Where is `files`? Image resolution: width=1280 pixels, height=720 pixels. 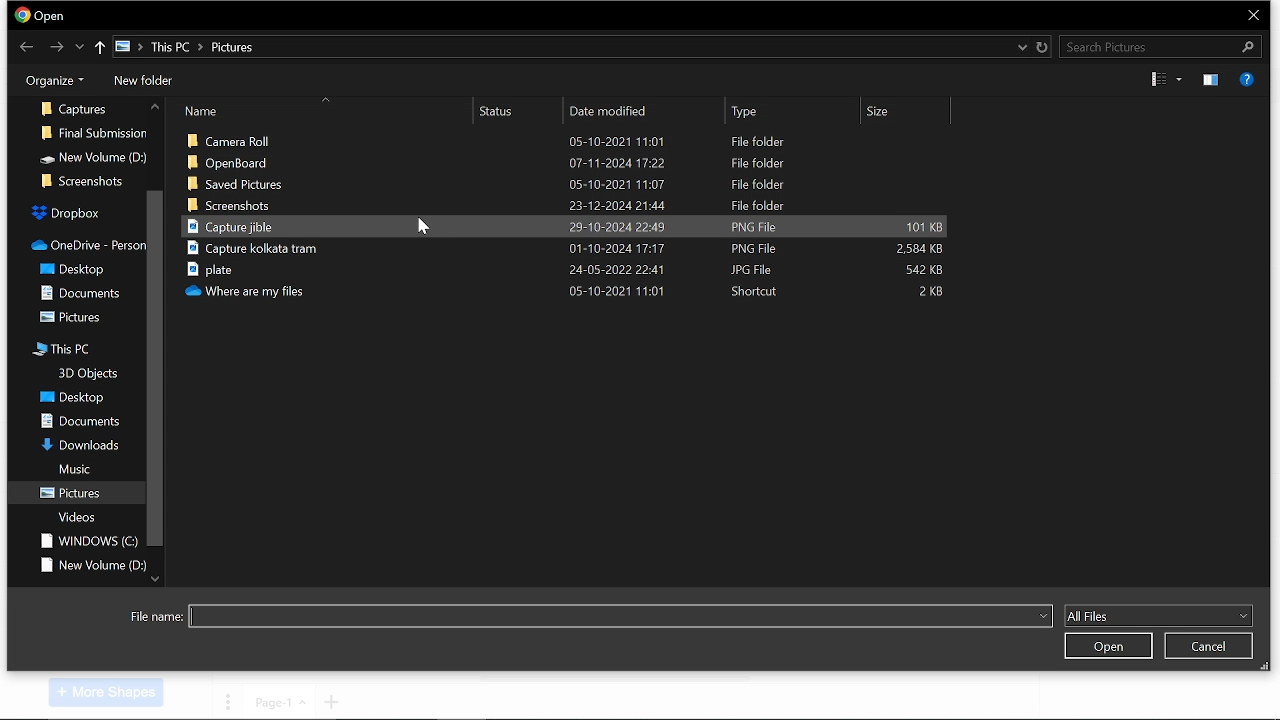 files is located at coordinates (576, 183).